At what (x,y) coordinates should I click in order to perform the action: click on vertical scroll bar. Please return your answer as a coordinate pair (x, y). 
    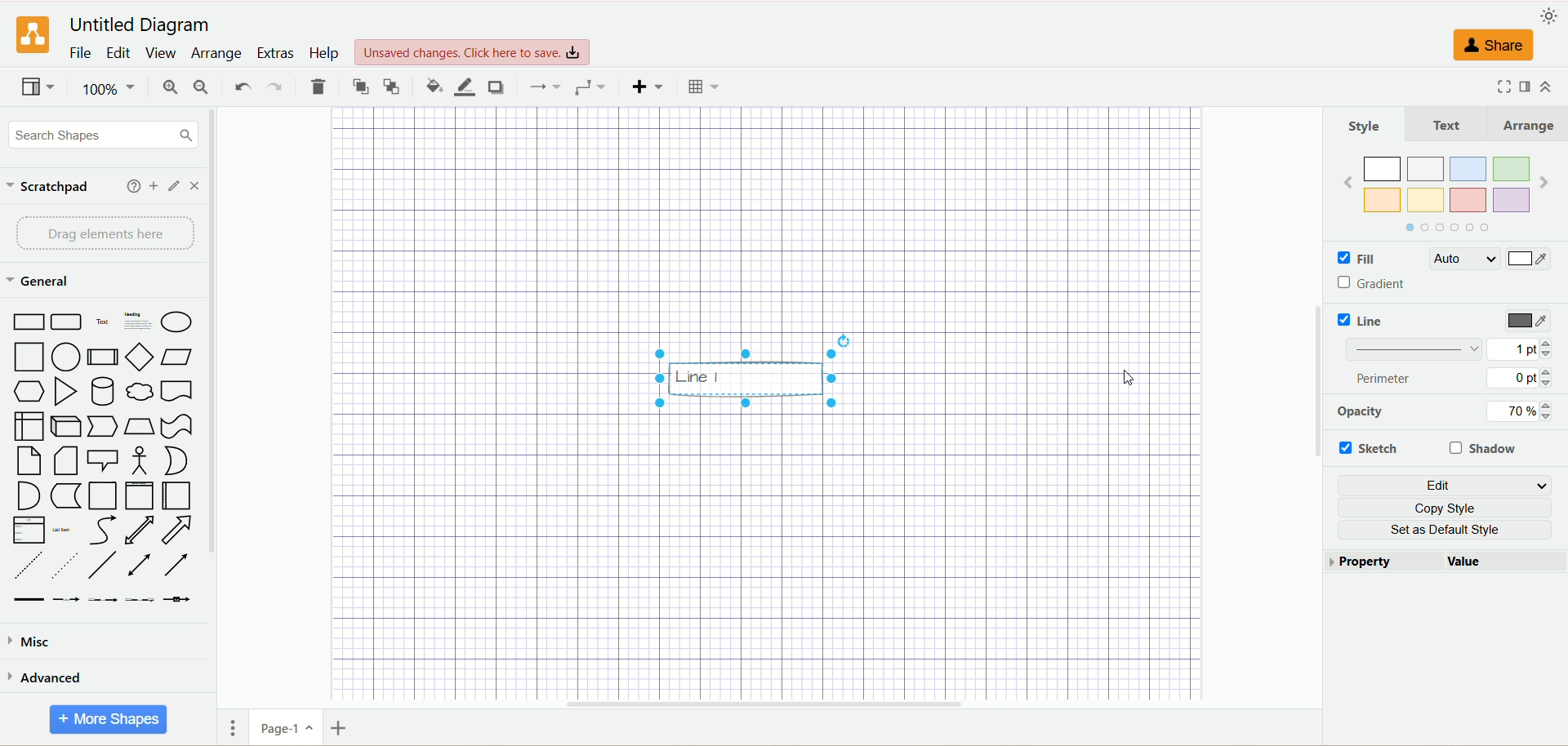
    Looking at the image, I should click on (1312, 408).